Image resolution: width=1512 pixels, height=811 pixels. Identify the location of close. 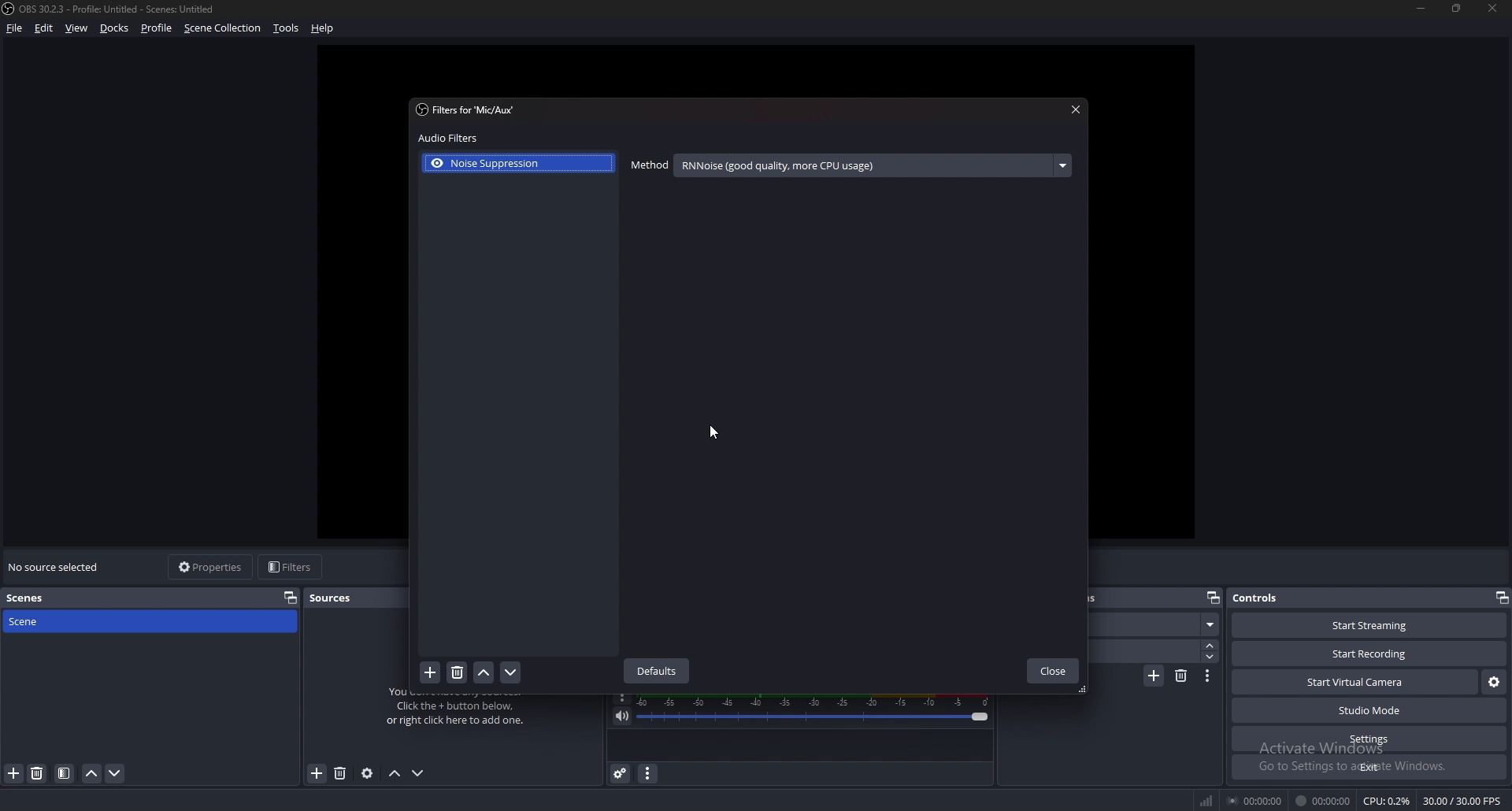
(1073, 110).